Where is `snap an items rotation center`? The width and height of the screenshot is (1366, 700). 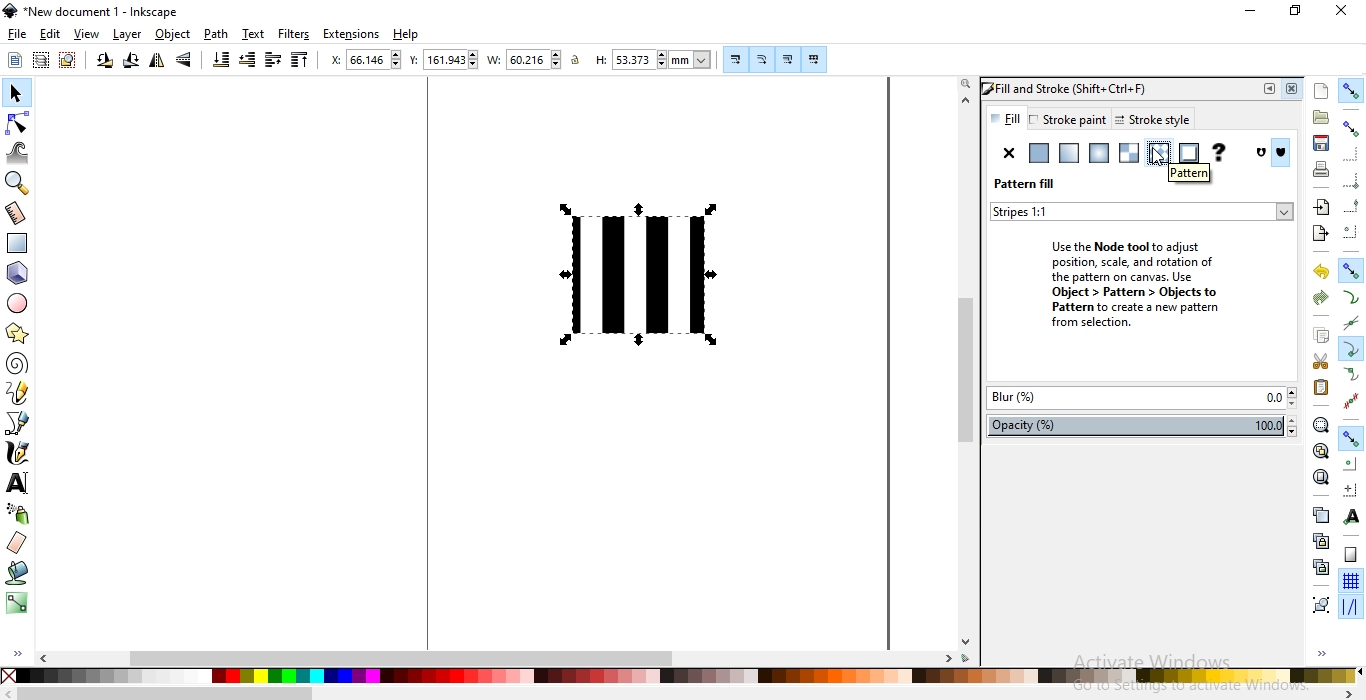 snap an items rotation center is located at coordinates (1349, 487).